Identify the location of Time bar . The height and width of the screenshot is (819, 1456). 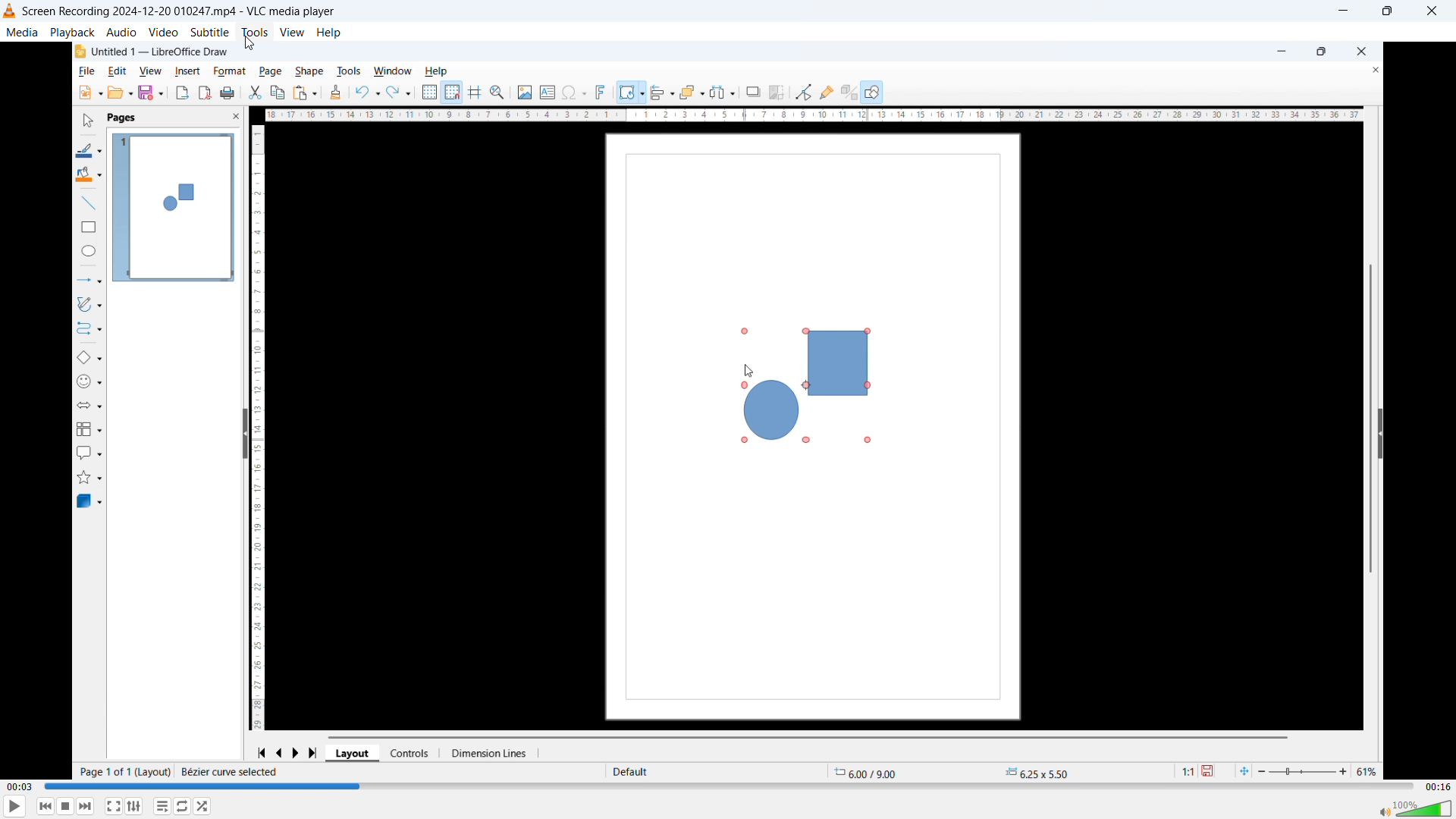
(728, 785).